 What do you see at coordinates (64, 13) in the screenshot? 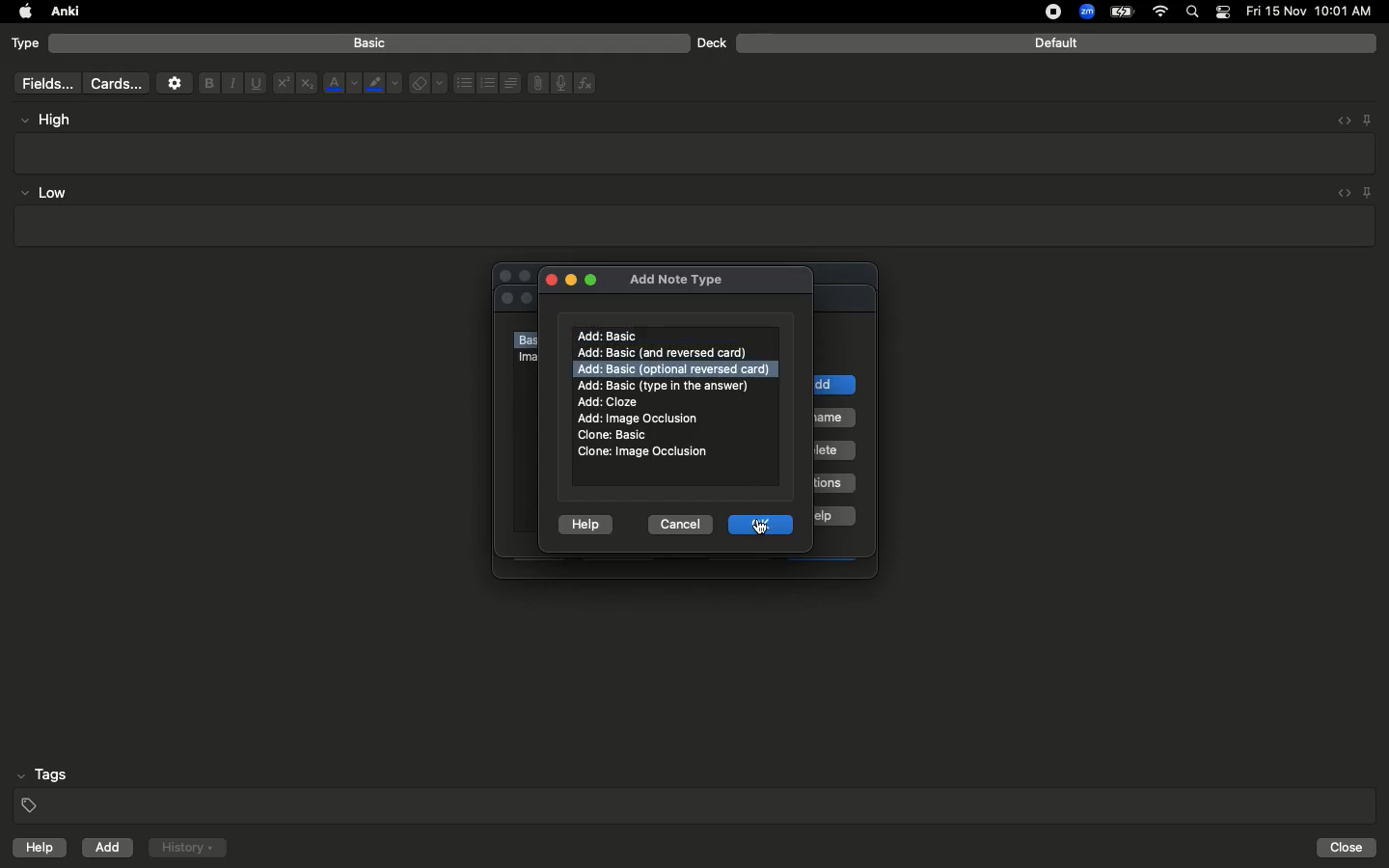
I see `Anki` at bounding box center [64, 13].